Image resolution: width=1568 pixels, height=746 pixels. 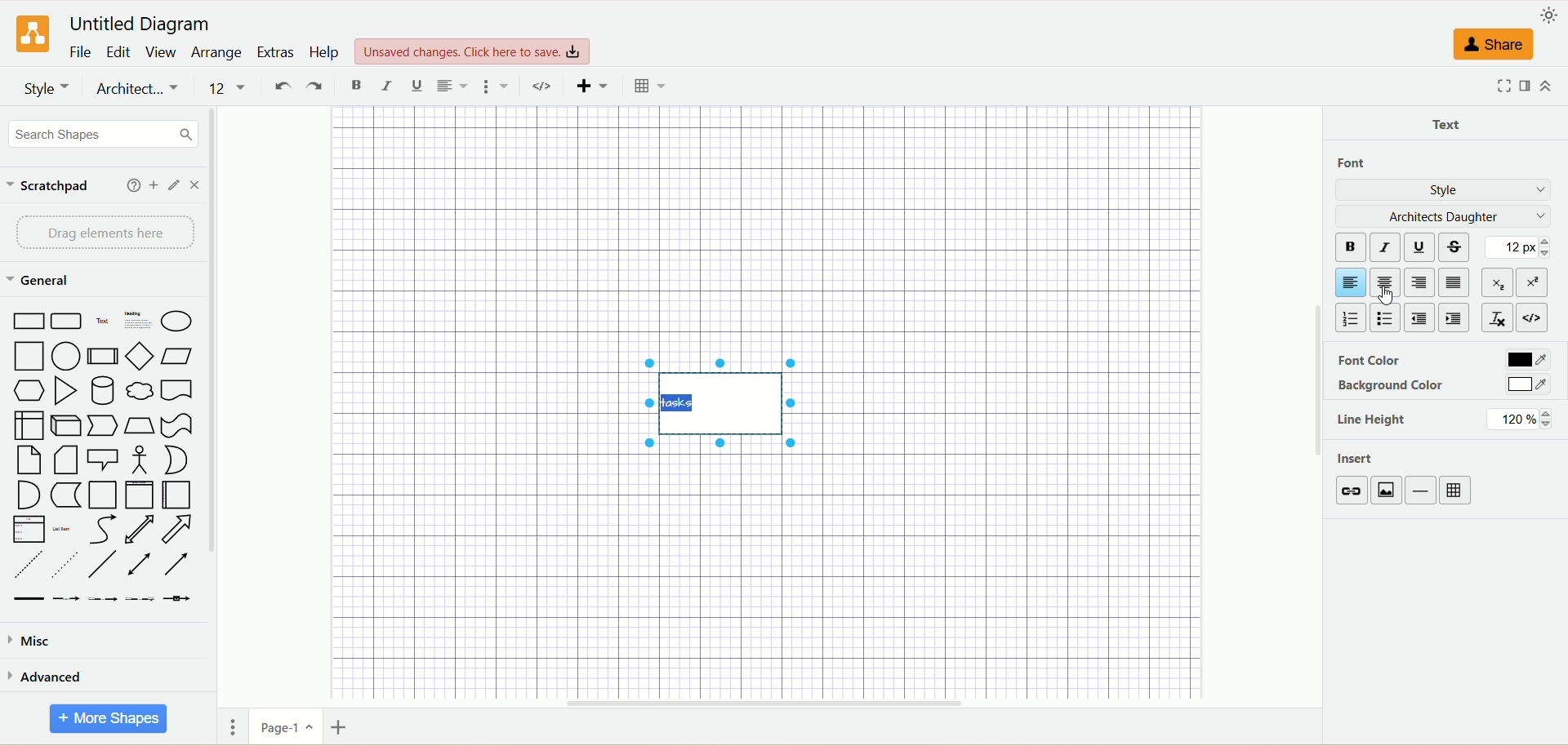 I want to click on Unsaved Changes. Click here to save., so click(x=473, y=52).